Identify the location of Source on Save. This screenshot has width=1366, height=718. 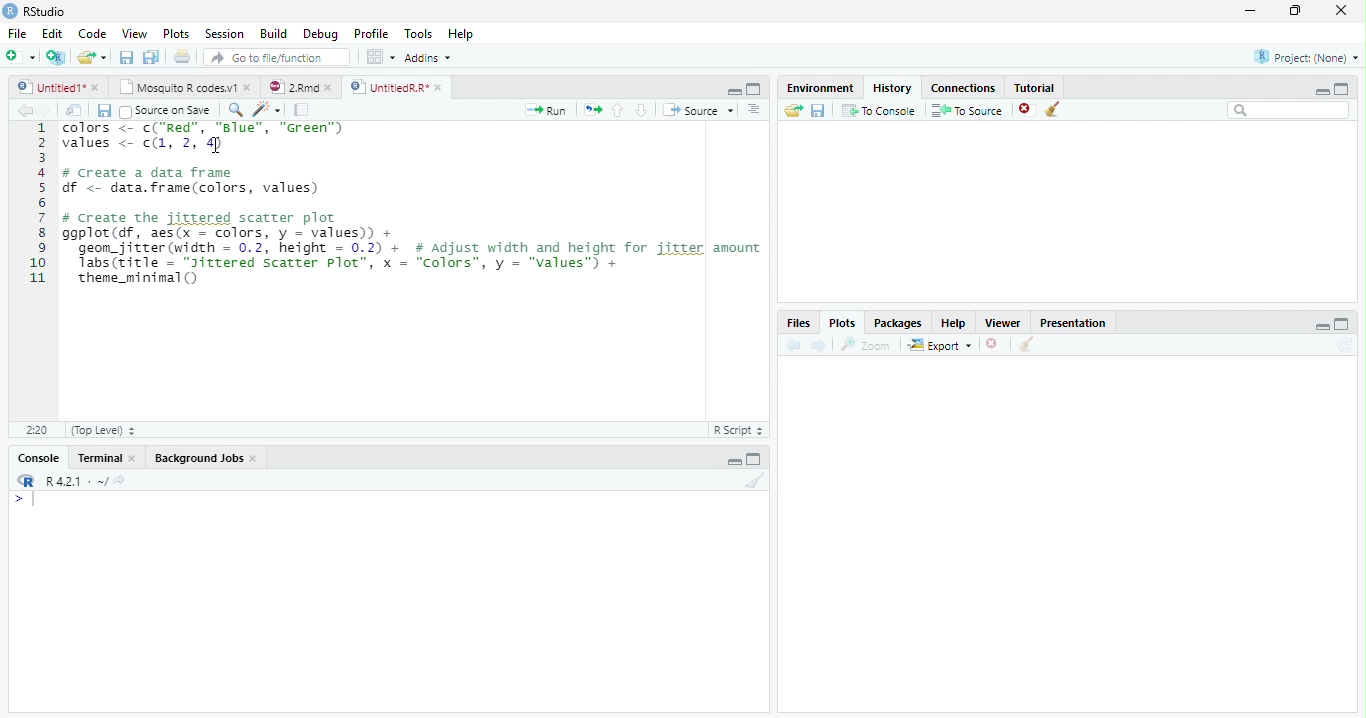
(167, 111).